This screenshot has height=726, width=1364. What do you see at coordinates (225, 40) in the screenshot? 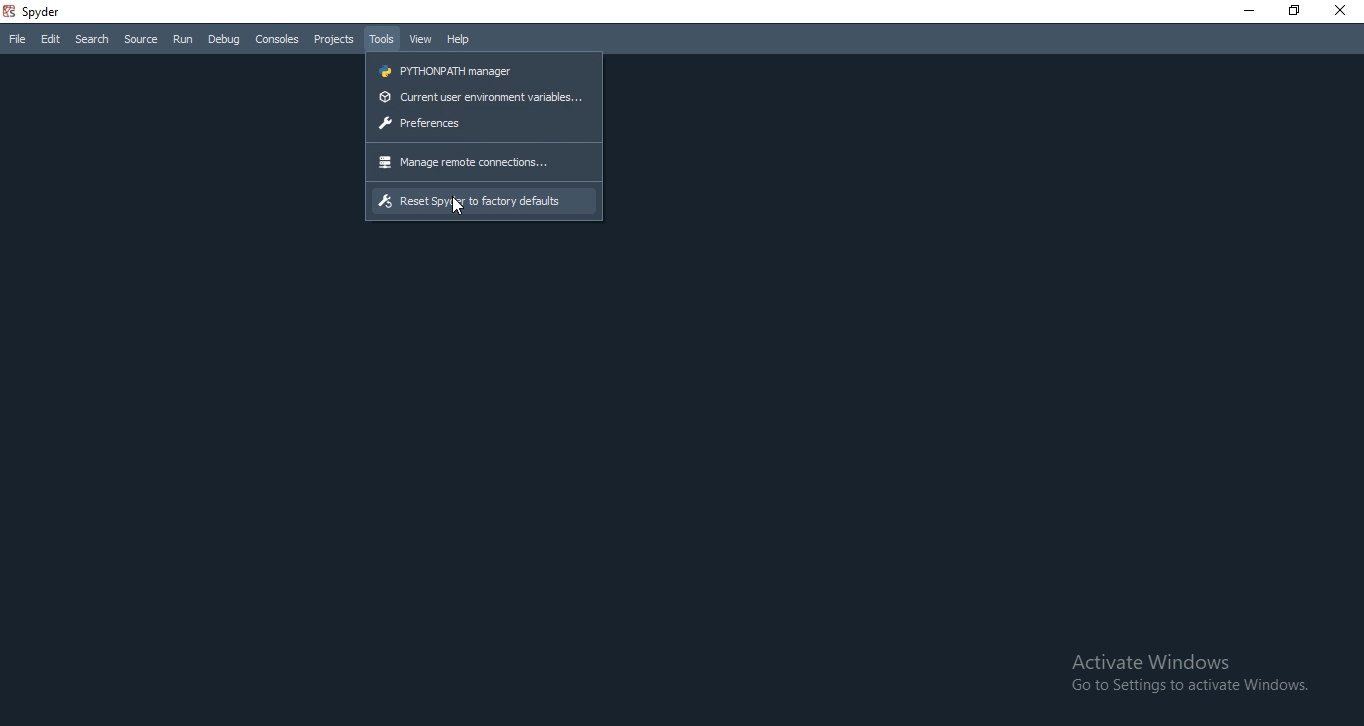
I see `Debug` at bounding box center [225, 40].